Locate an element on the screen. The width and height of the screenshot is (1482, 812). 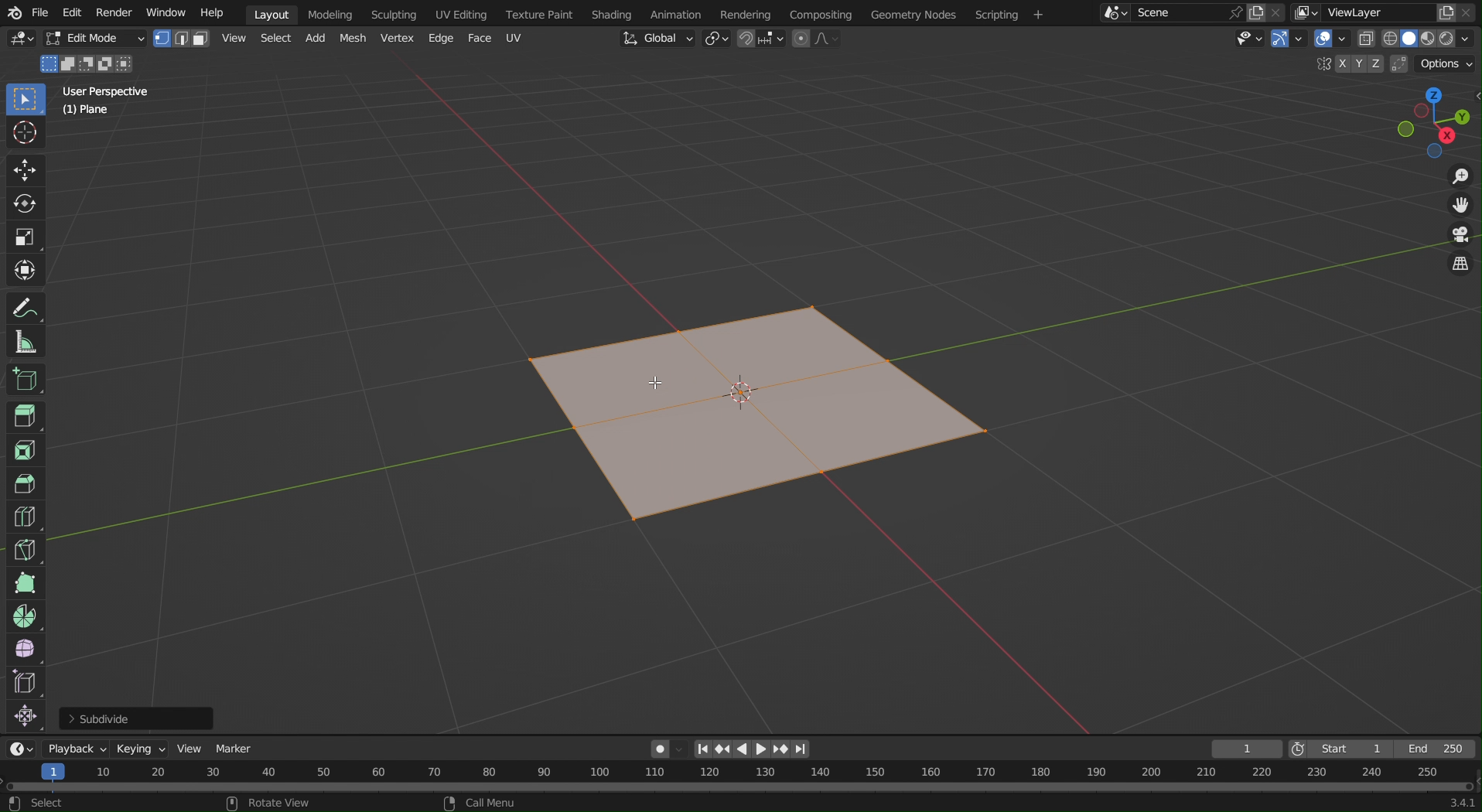
Cursor is located at coordinates (26, 136).